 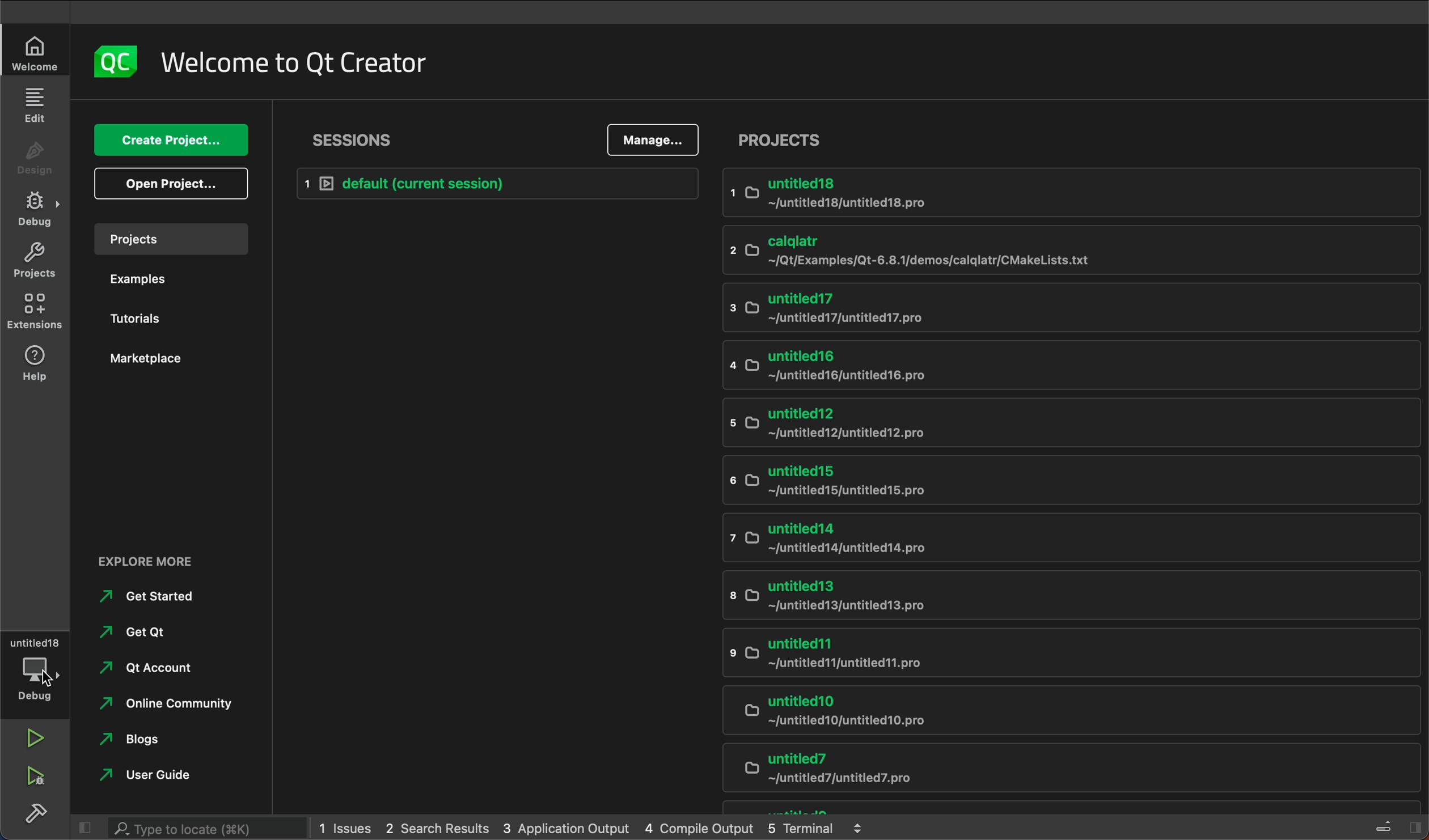 I want to click on logo, so click(x=115, y=60).